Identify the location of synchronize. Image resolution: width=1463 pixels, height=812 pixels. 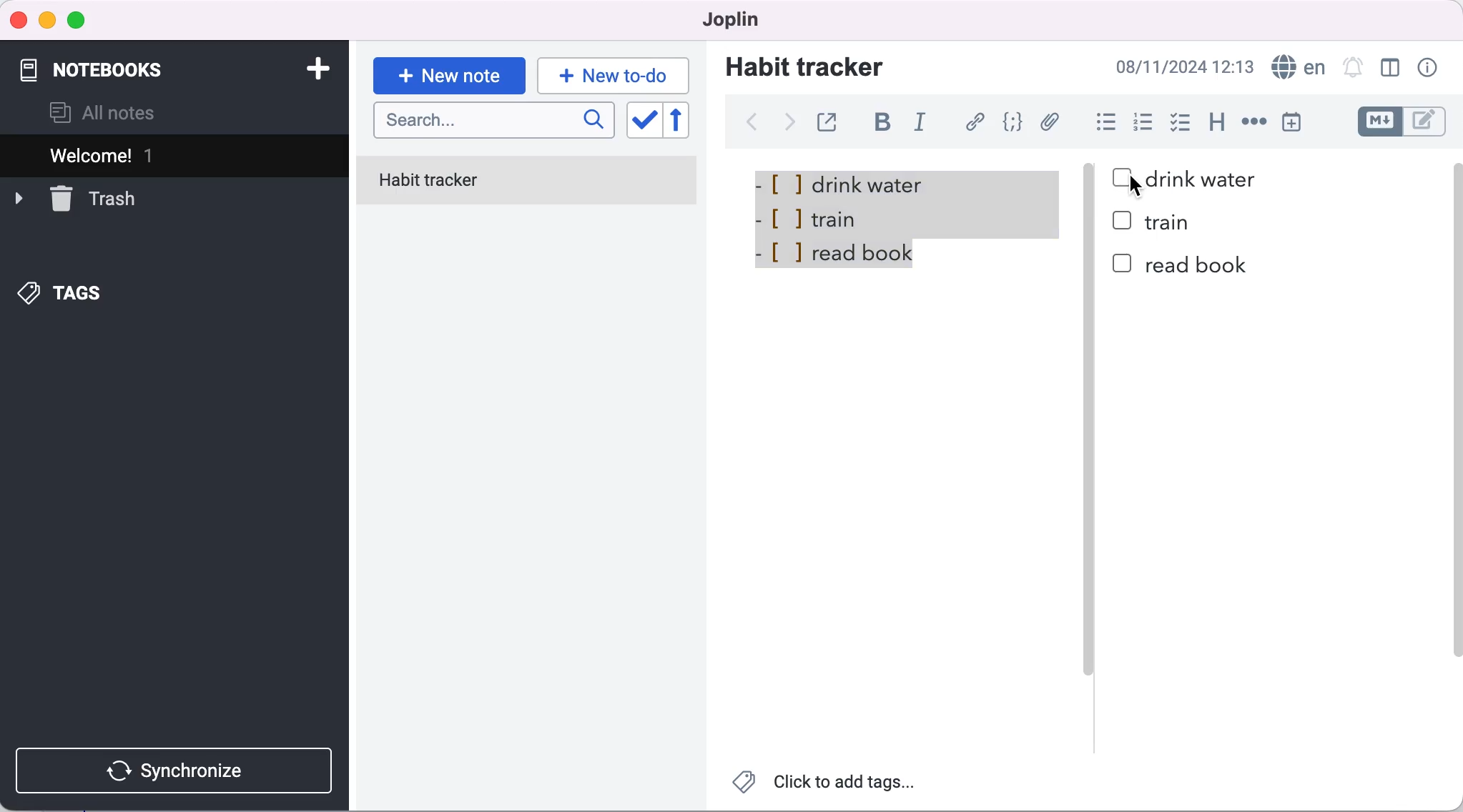
(177, 771).